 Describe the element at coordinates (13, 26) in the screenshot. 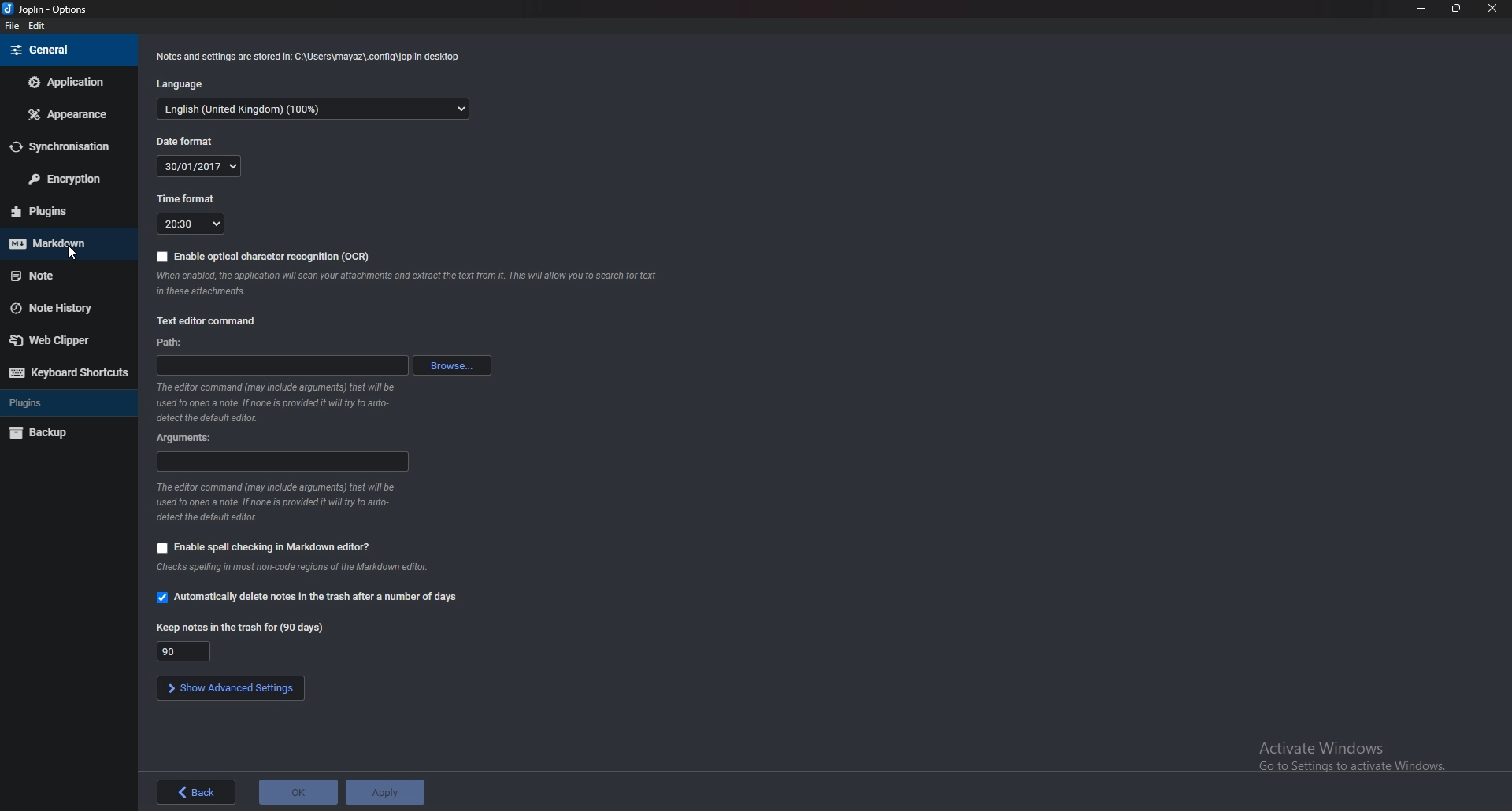

I see `file` at that location.